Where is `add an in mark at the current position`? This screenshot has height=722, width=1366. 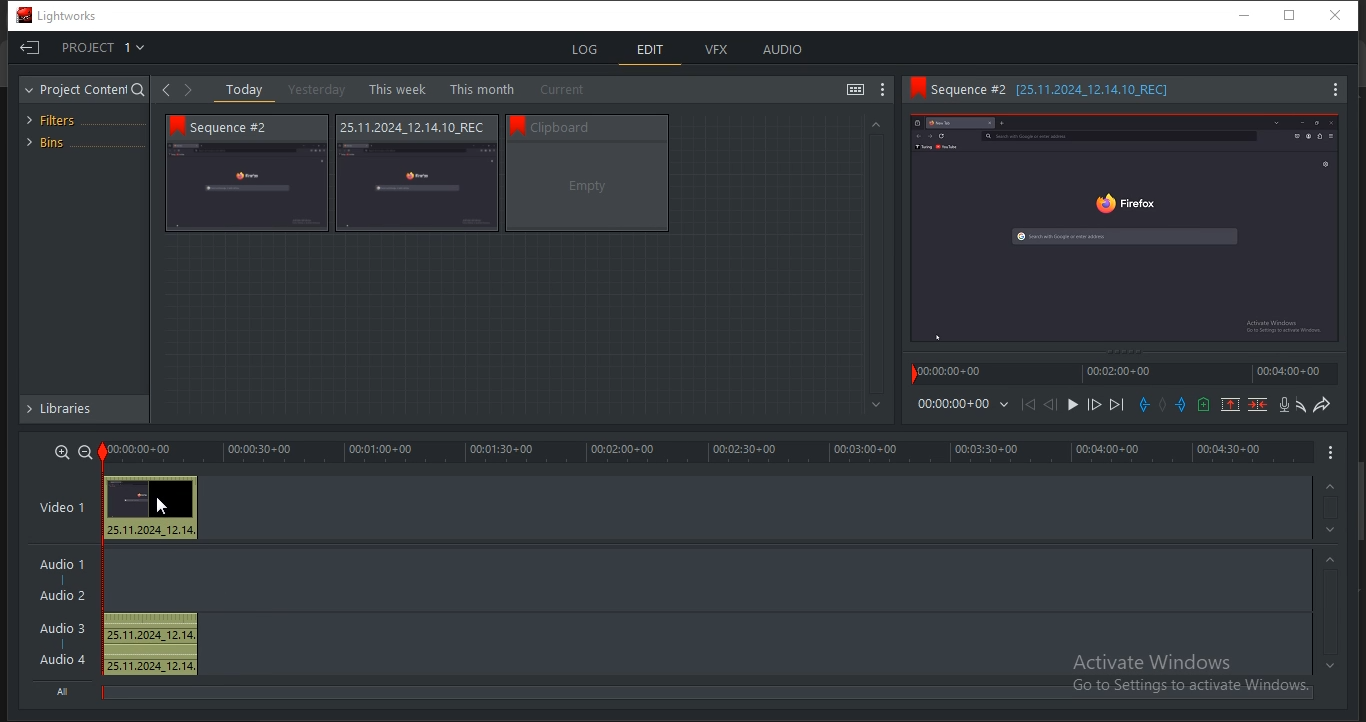 add an in mark at the current position is located at coordinates (1144, 406).